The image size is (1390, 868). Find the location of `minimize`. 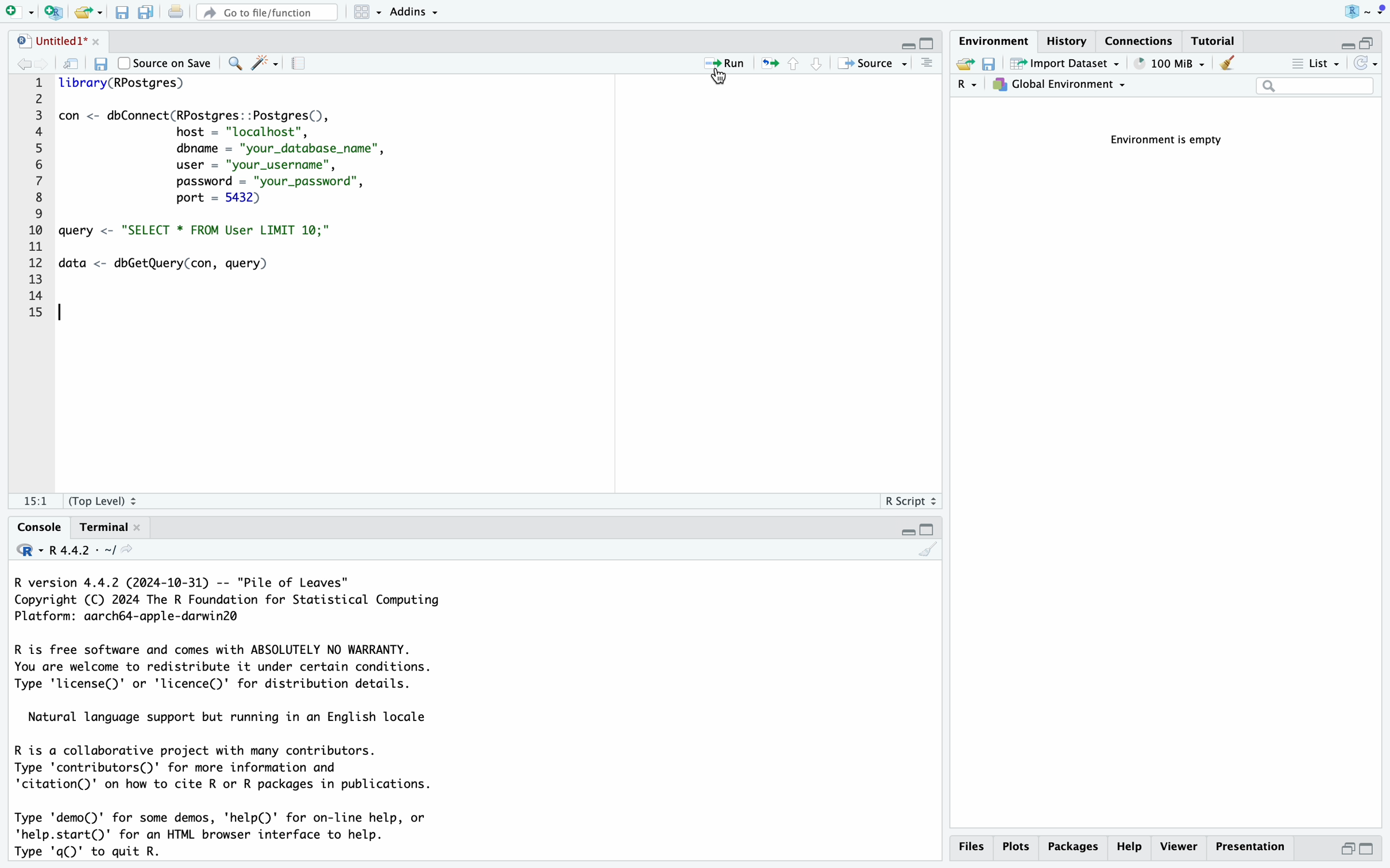

minimize is located at coordinates (1342, 40).